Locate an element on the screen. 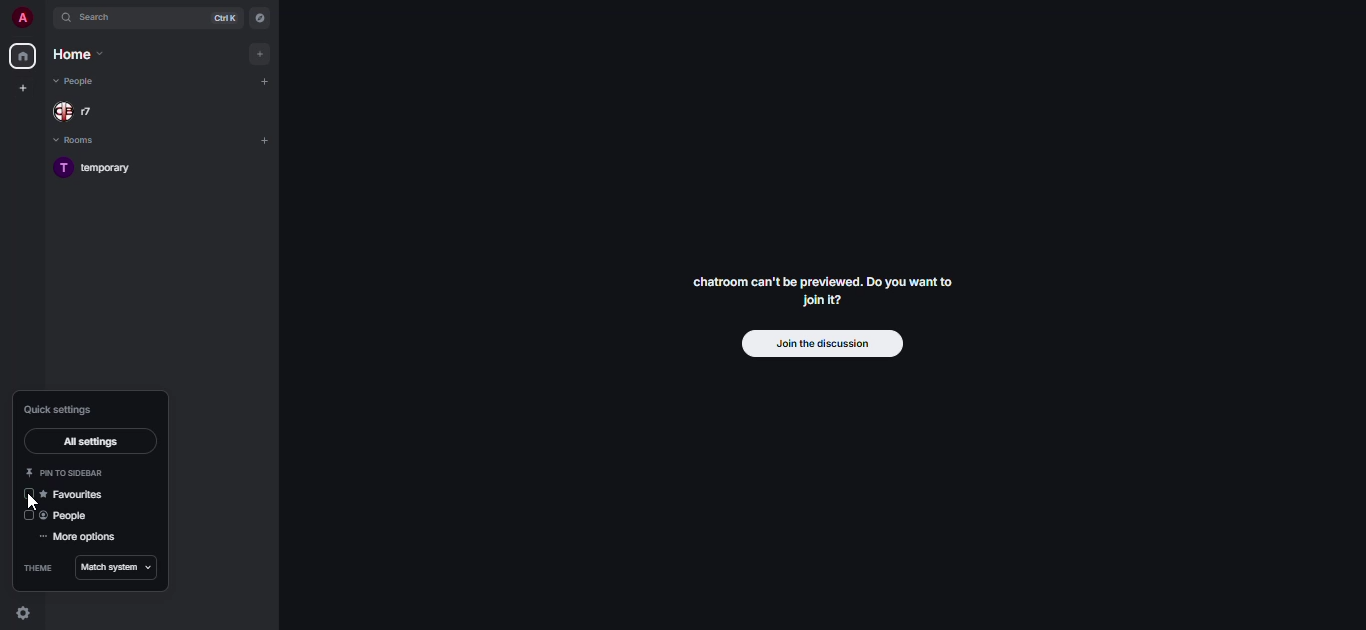 The width and height of the screenshot is (1366, 630). quick settings is located at coordinates (24, 612).